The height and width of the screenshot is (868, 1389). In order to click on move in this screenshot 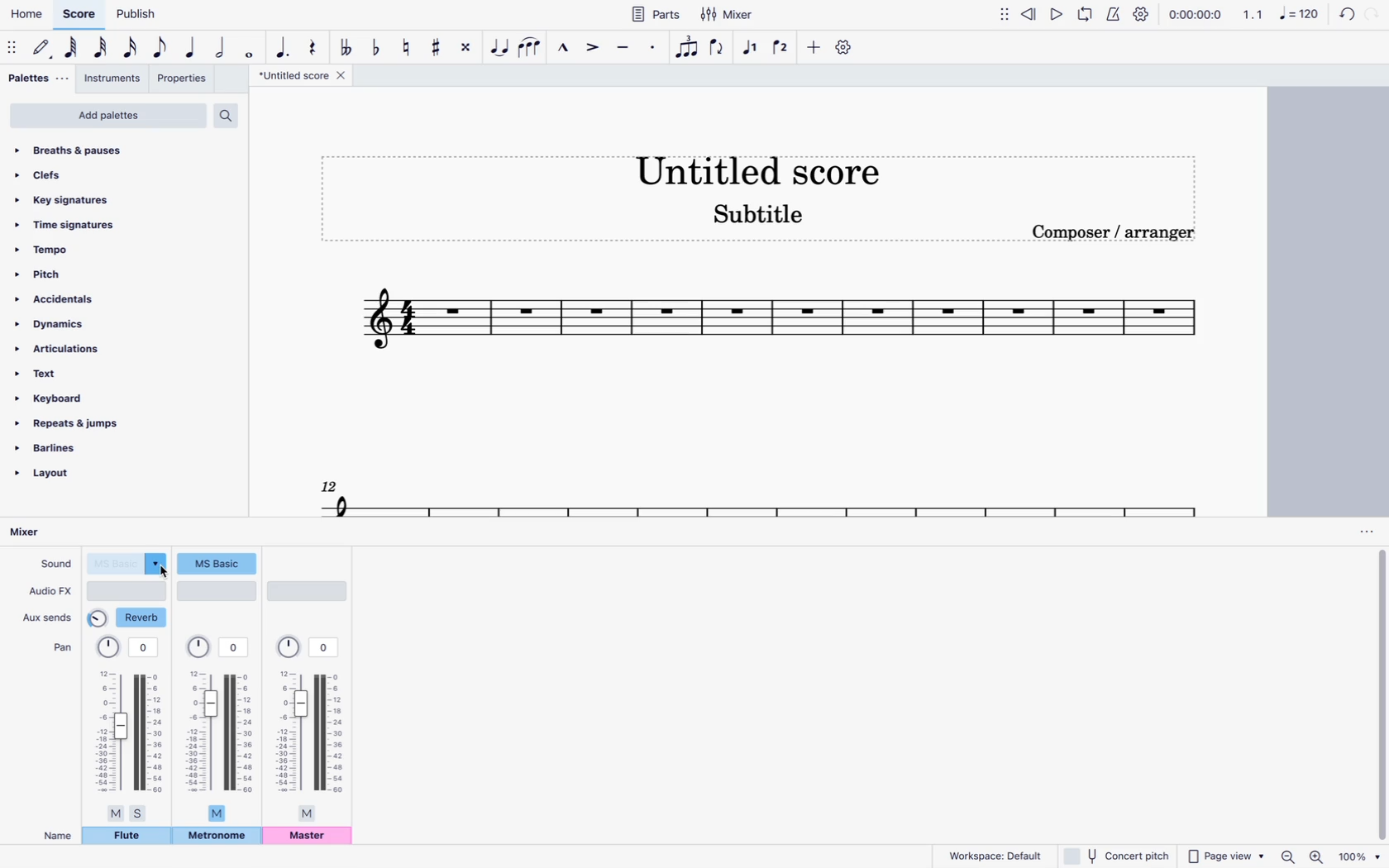, I will do `click(13, 46)`.